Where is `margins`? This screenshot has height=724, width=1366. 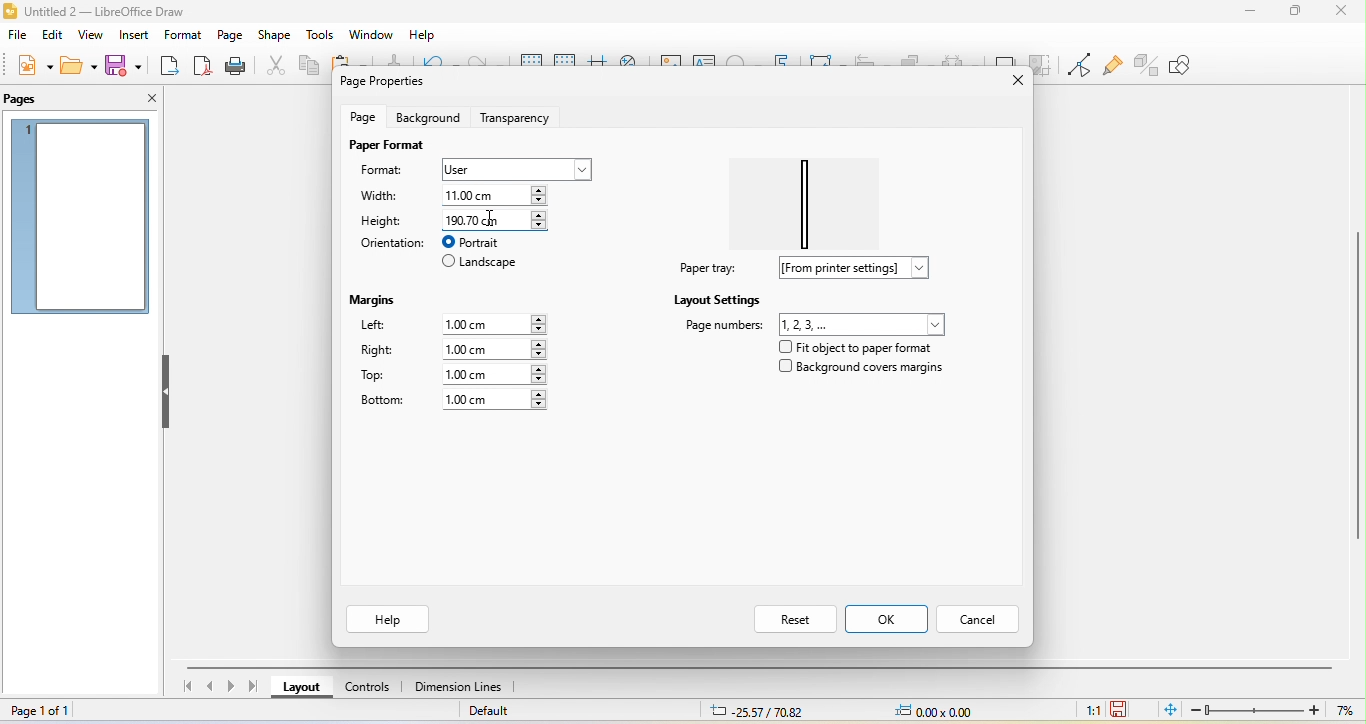
margins is located at coordinates (377, 297).